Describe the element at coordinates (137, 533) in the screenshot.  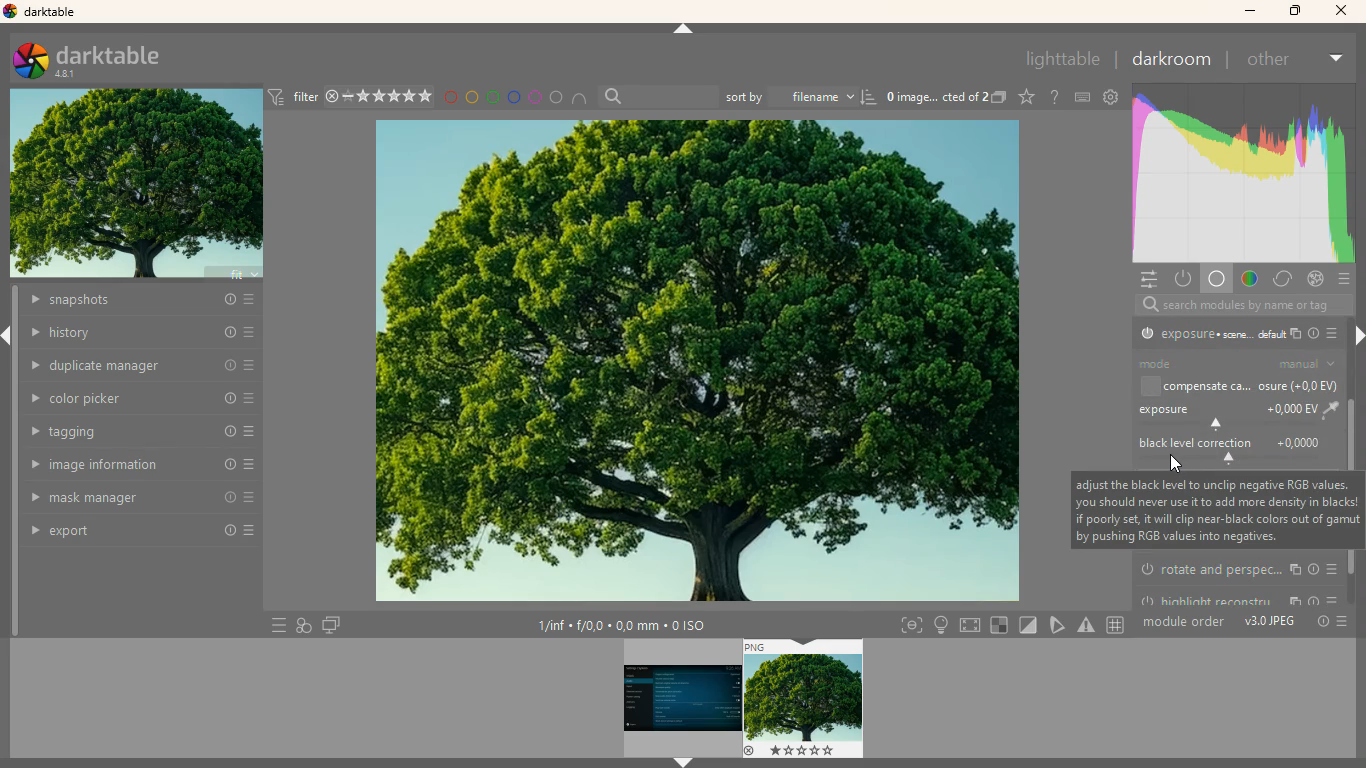
I see `export` at that location.